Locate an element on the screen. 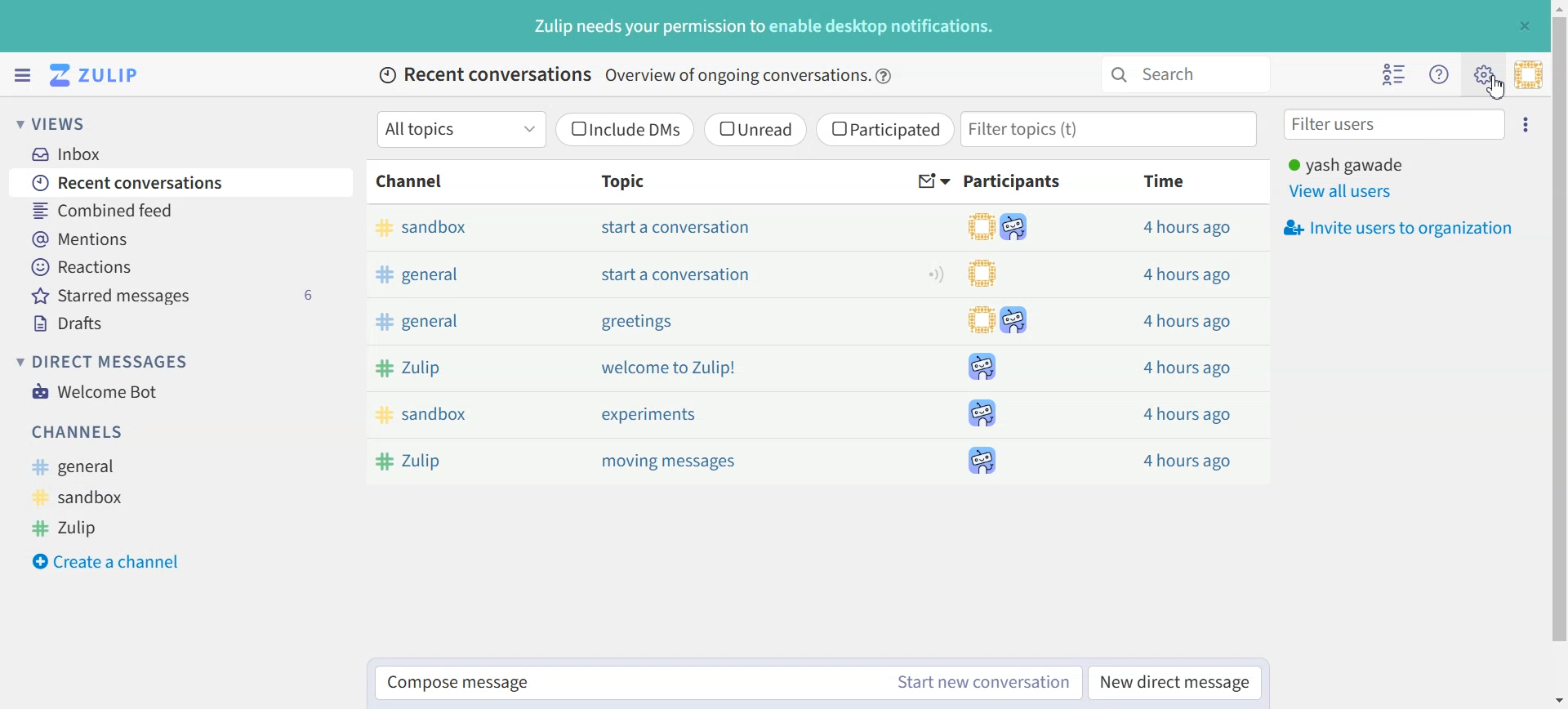 The image size is (1568, 709). Compose message is located at coordinates (626, 684).